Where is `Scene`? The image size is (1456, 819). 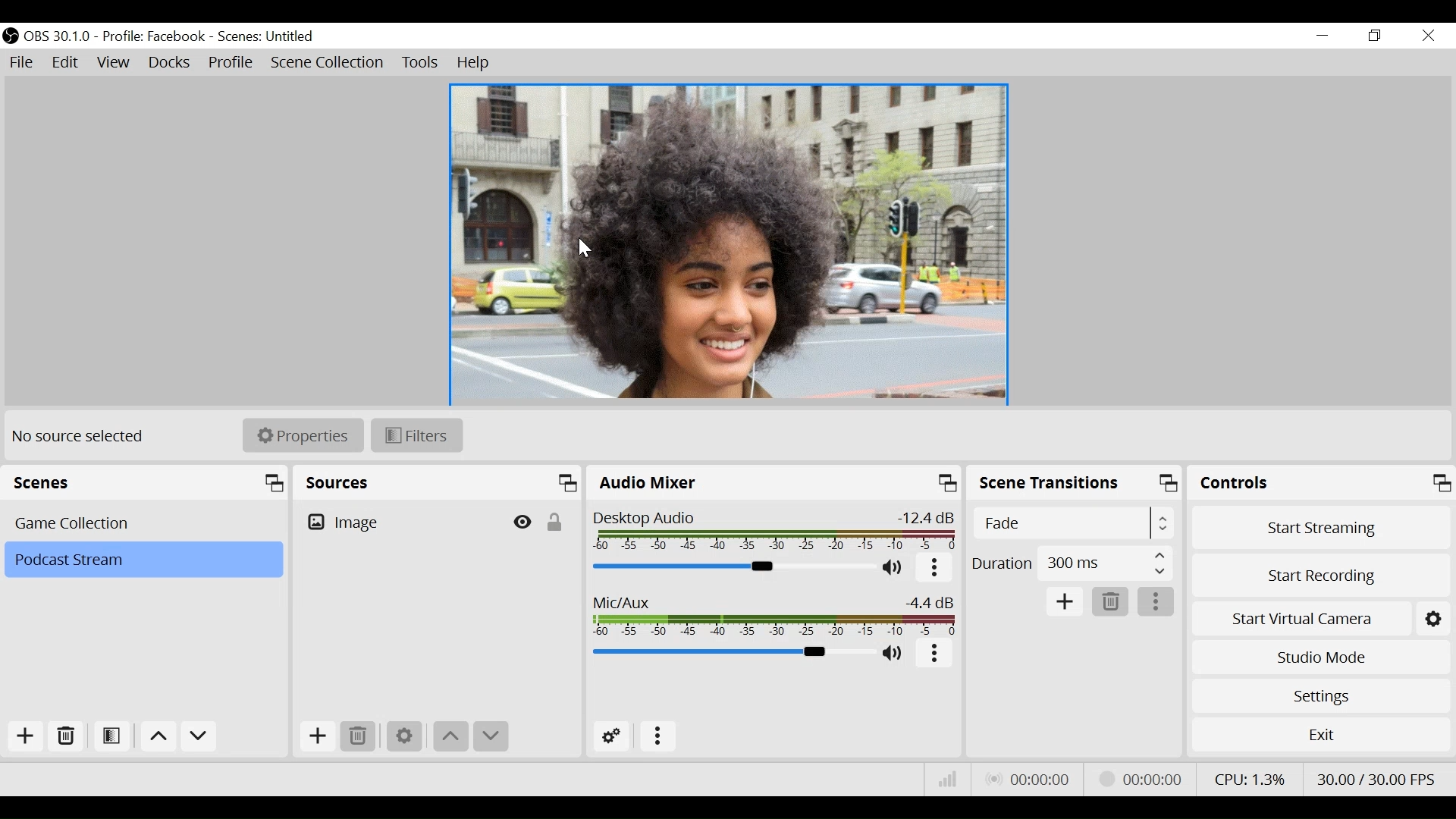 Scene is located at coordinates (267, 37).